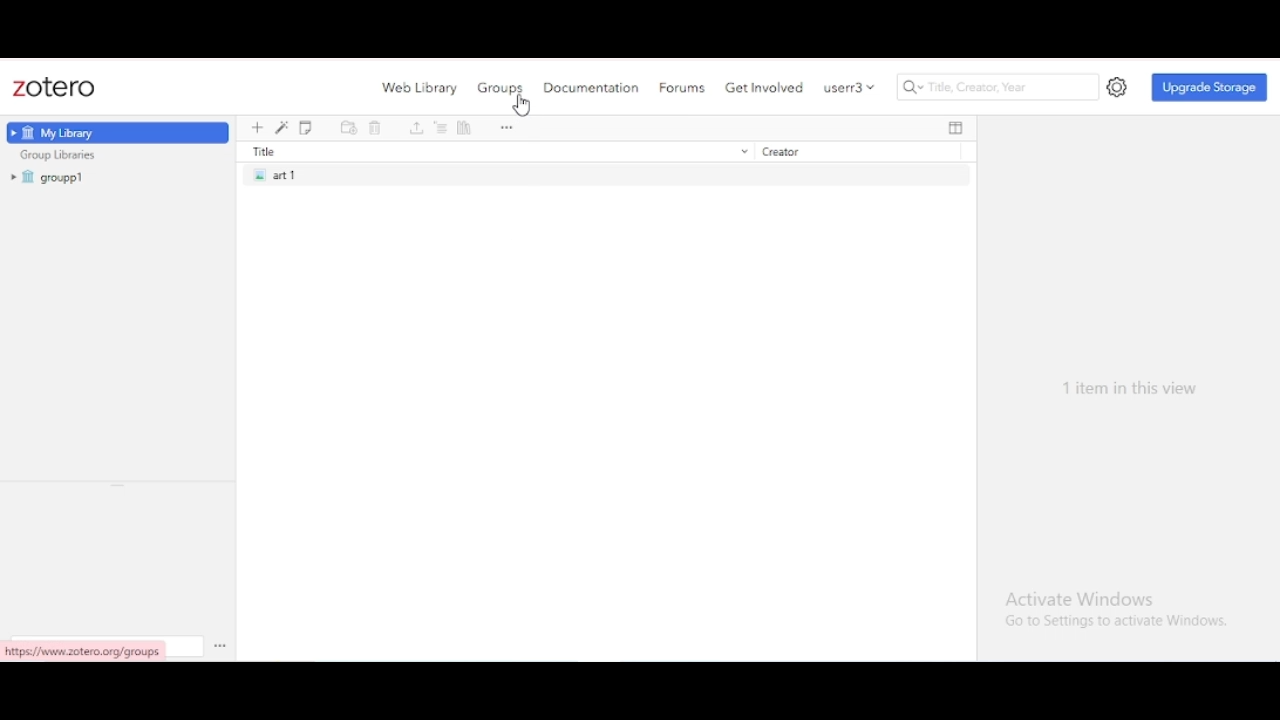  What do you see at coordinates (257, 128) in the screenshot?
I see `new item` at bounding box center [257, 128].